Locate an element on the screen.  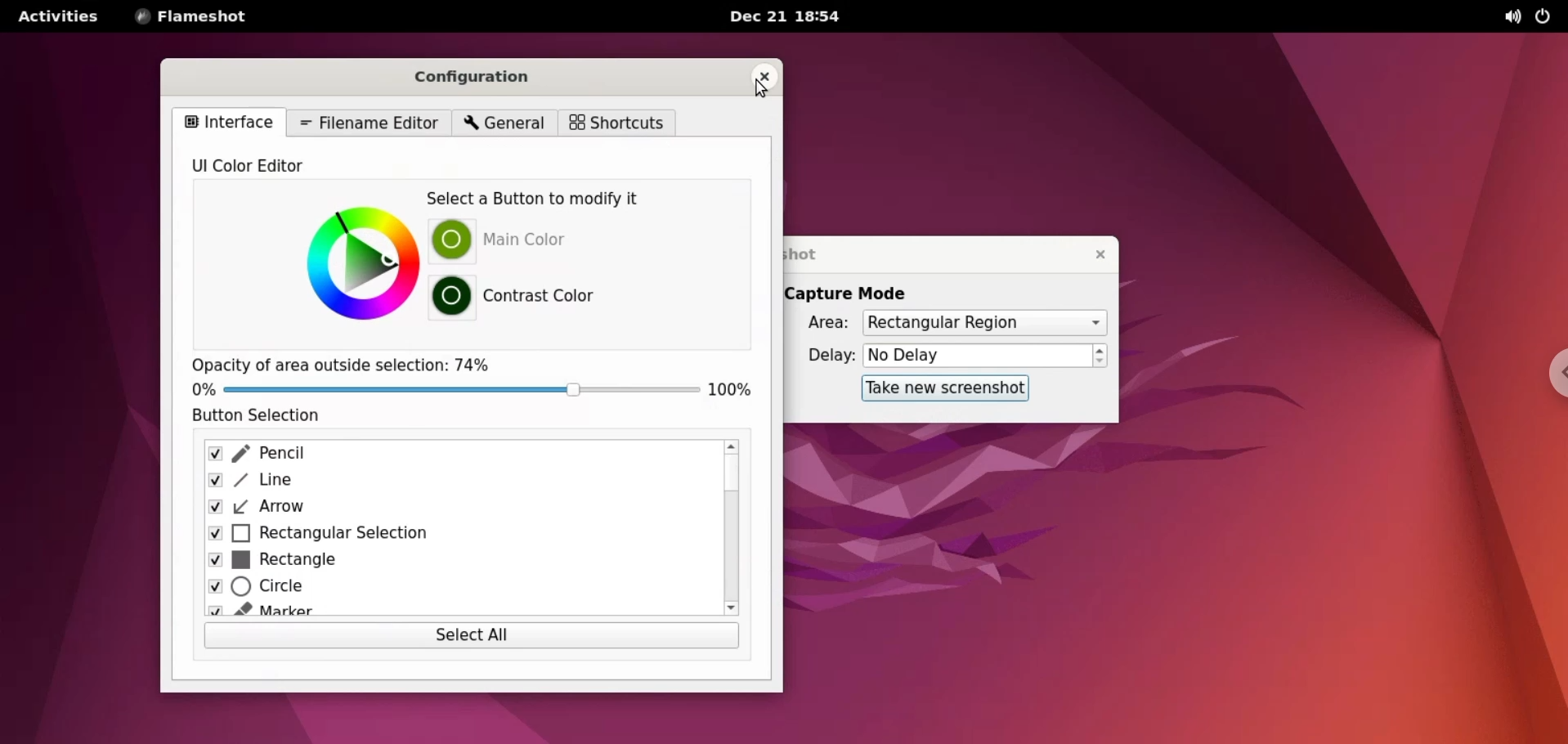
interface  is located at coordinates (232, 123).